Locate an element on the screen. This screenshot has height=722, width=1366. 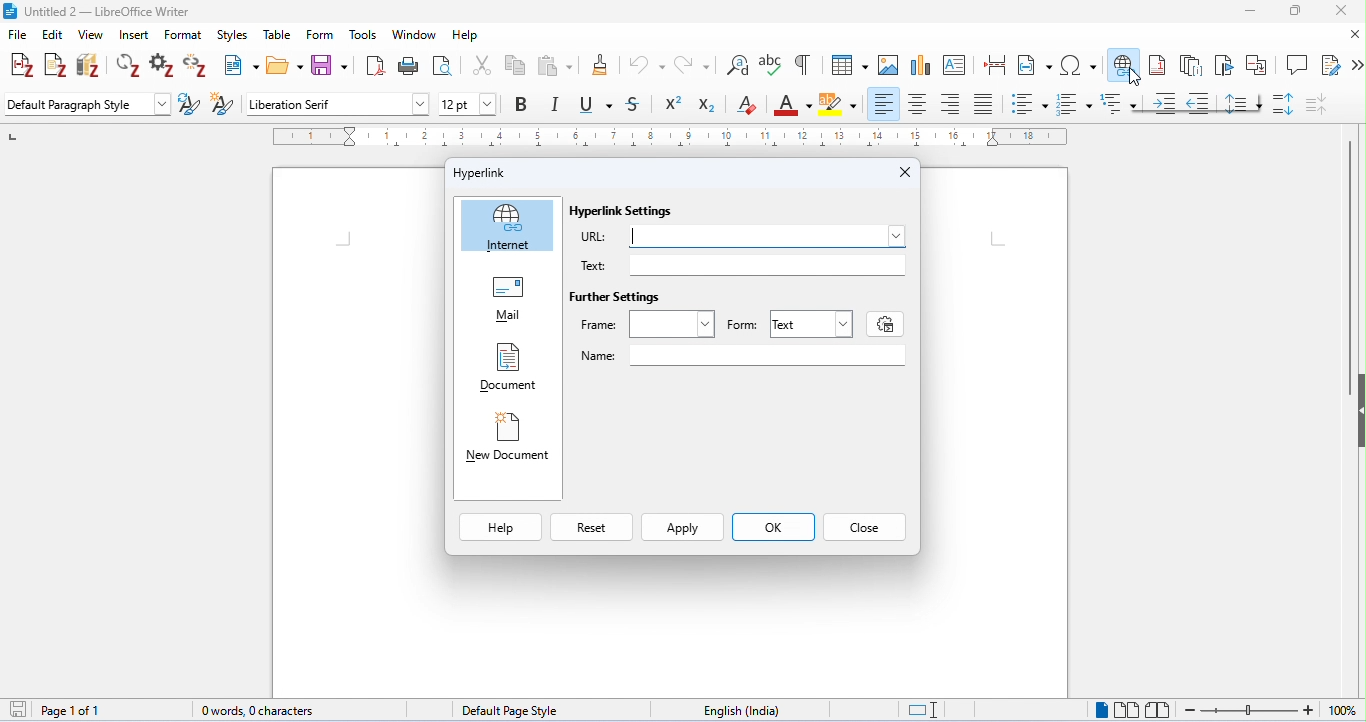
align left is located at coordinates (884, 104).